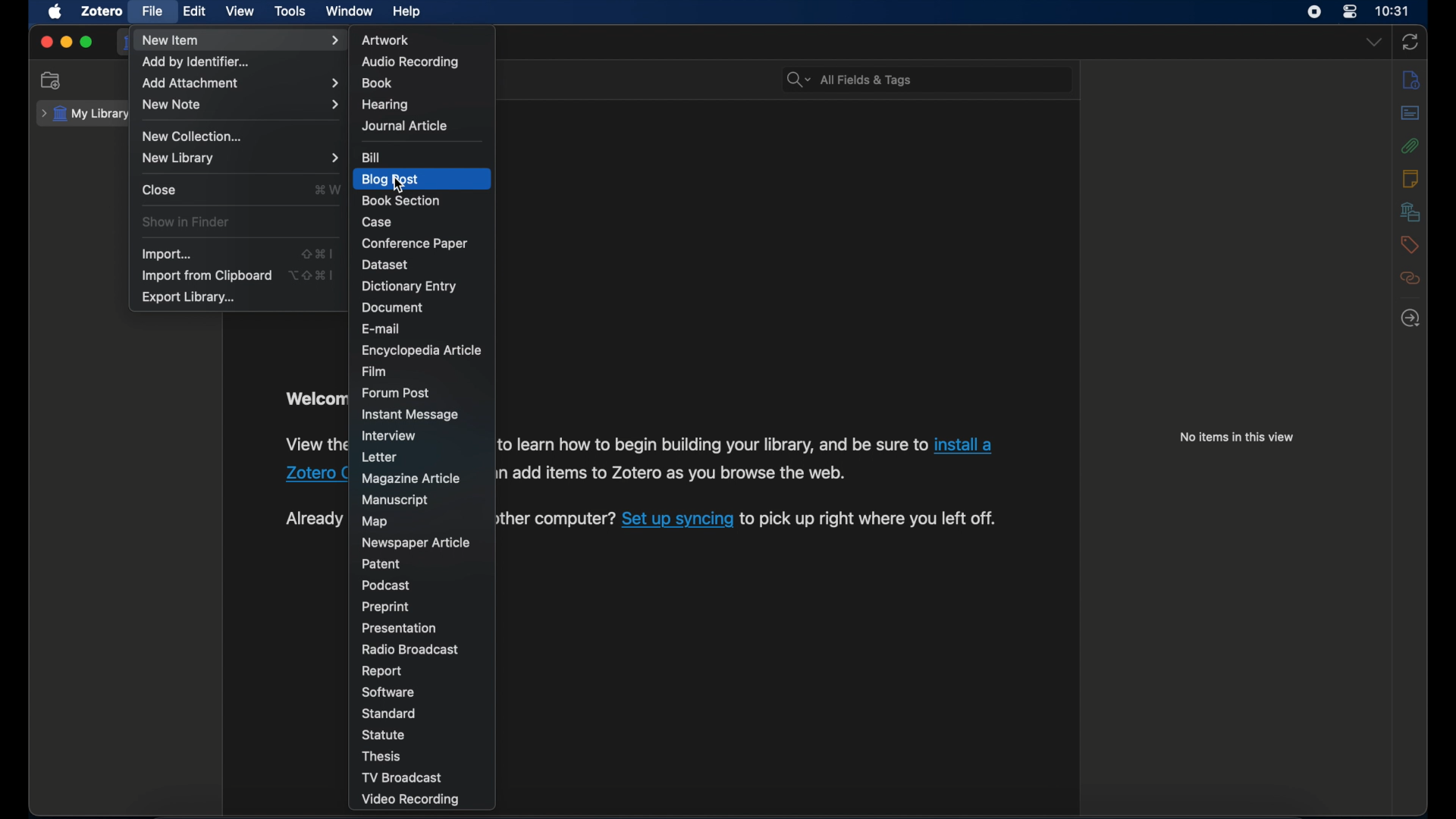  What do you see at coordinates (1410, 43) in the screenshot?
I see `sync` at bounding box center [1410, 43].